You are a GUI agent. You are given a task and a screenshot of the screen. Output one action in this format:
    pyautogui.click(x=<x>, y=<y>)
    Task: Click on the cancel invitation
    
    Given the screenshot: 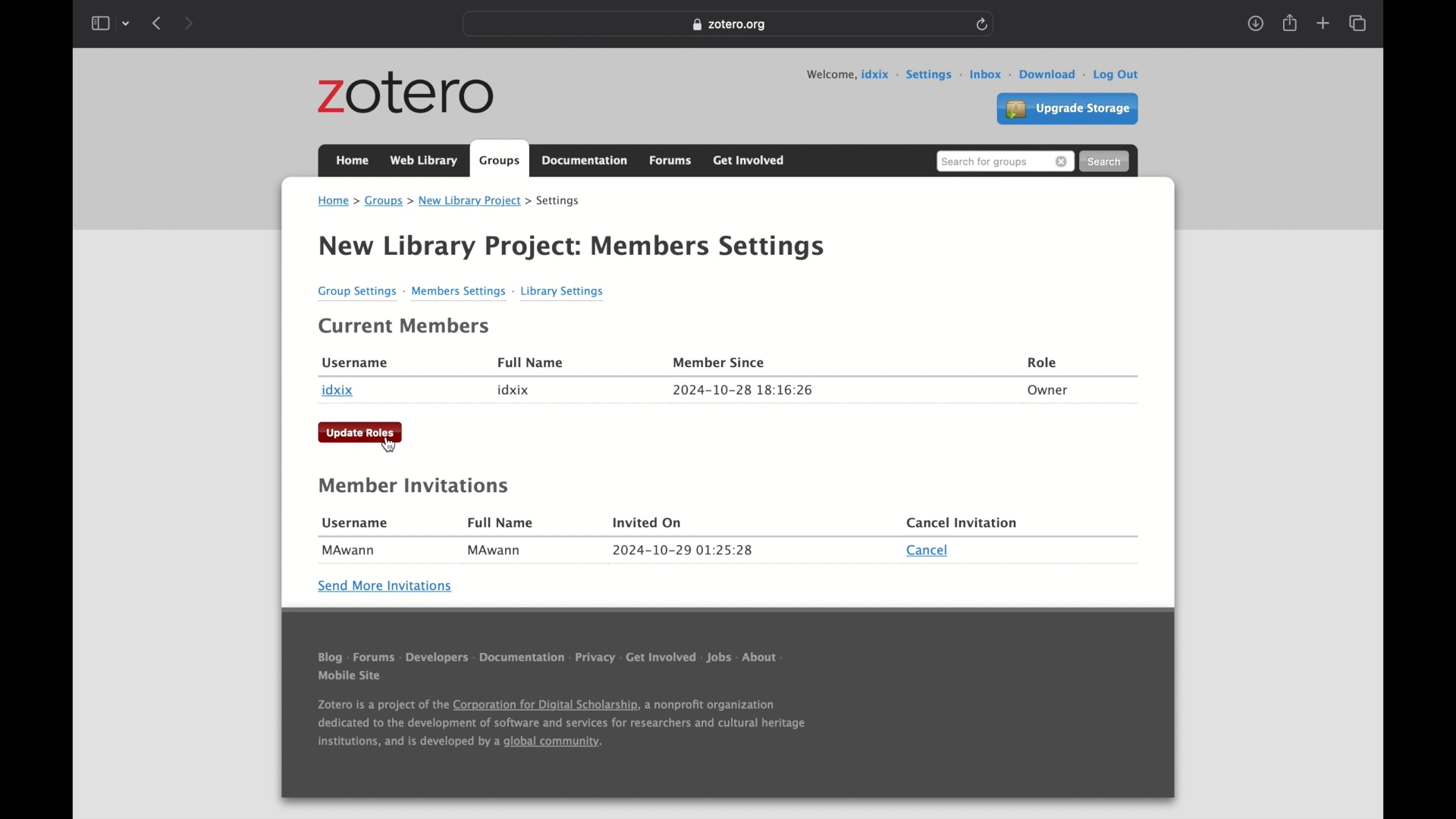 What is the action you would take?
    pyautogui.click(x=962, y=525)
    